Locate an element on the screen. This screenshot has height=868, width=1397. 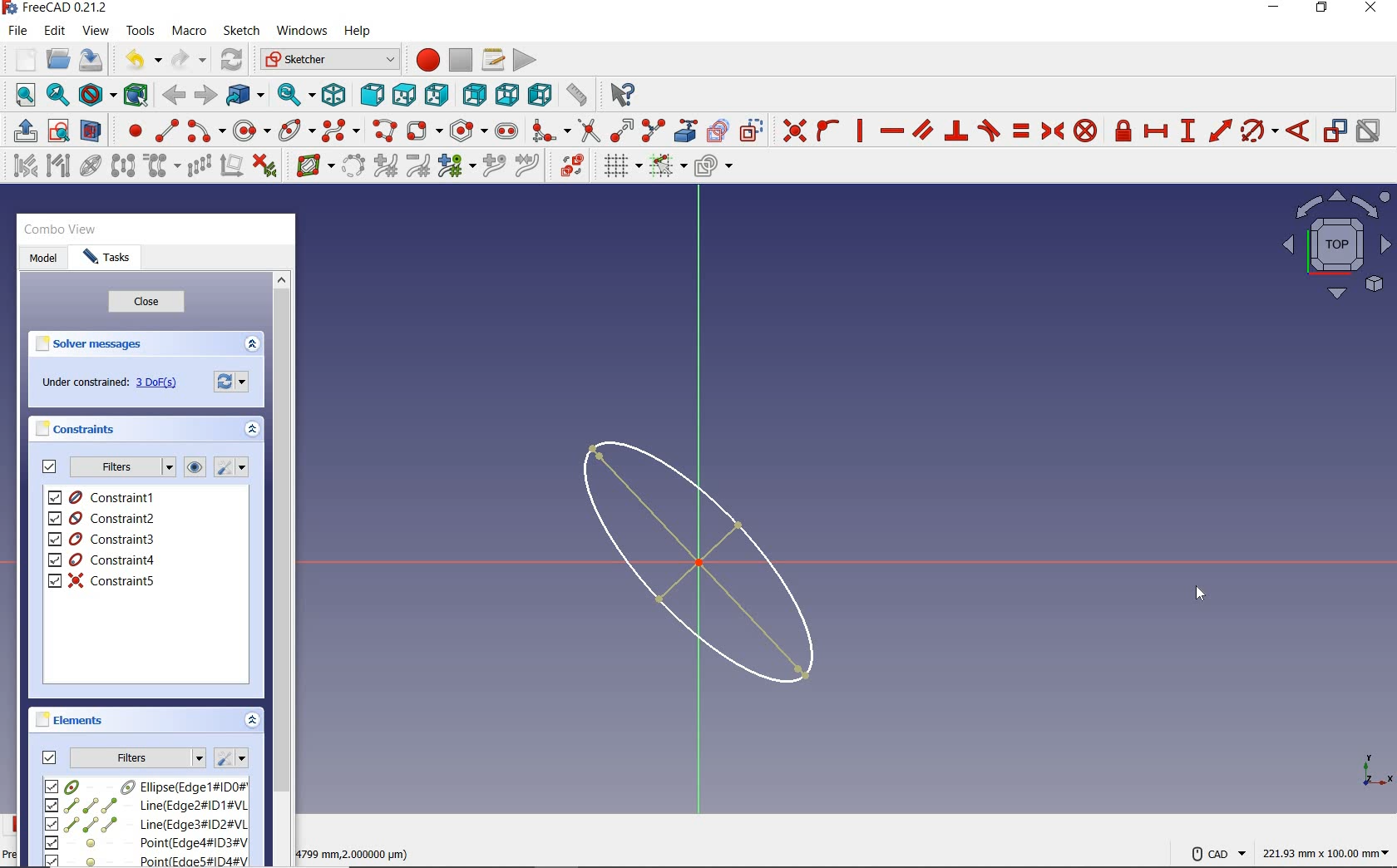
toggle grid is located at coordinates (620, 165).